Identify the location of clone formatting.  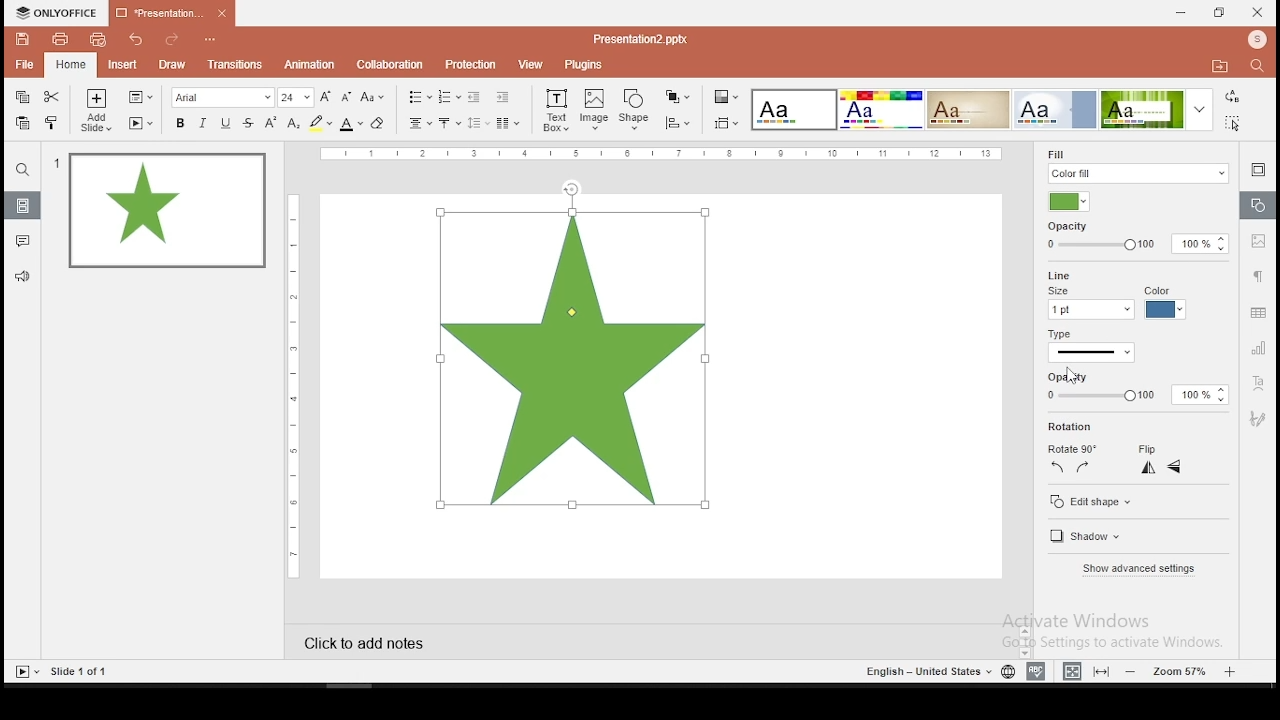
(52, 122).